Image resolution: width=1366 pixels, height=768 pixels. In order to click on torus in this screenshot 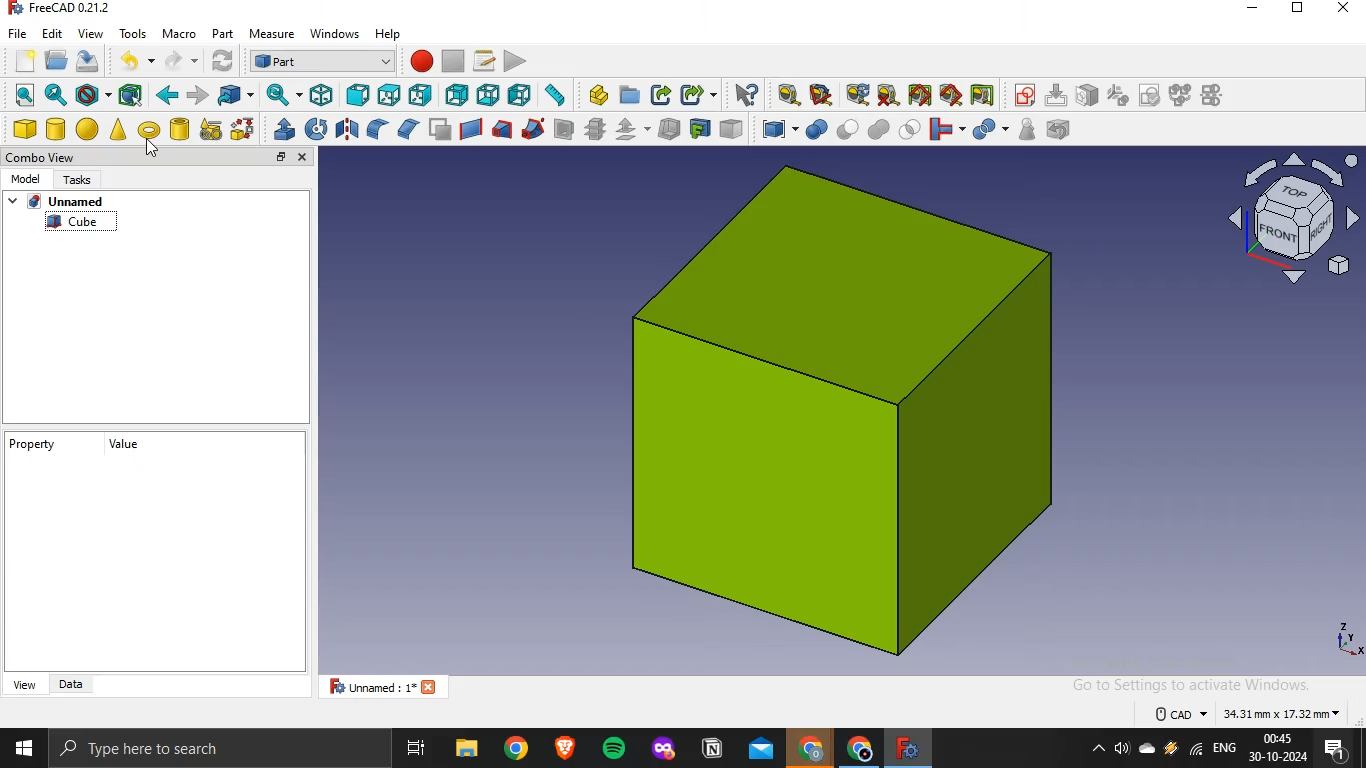, I will do `click(147, 129)`.